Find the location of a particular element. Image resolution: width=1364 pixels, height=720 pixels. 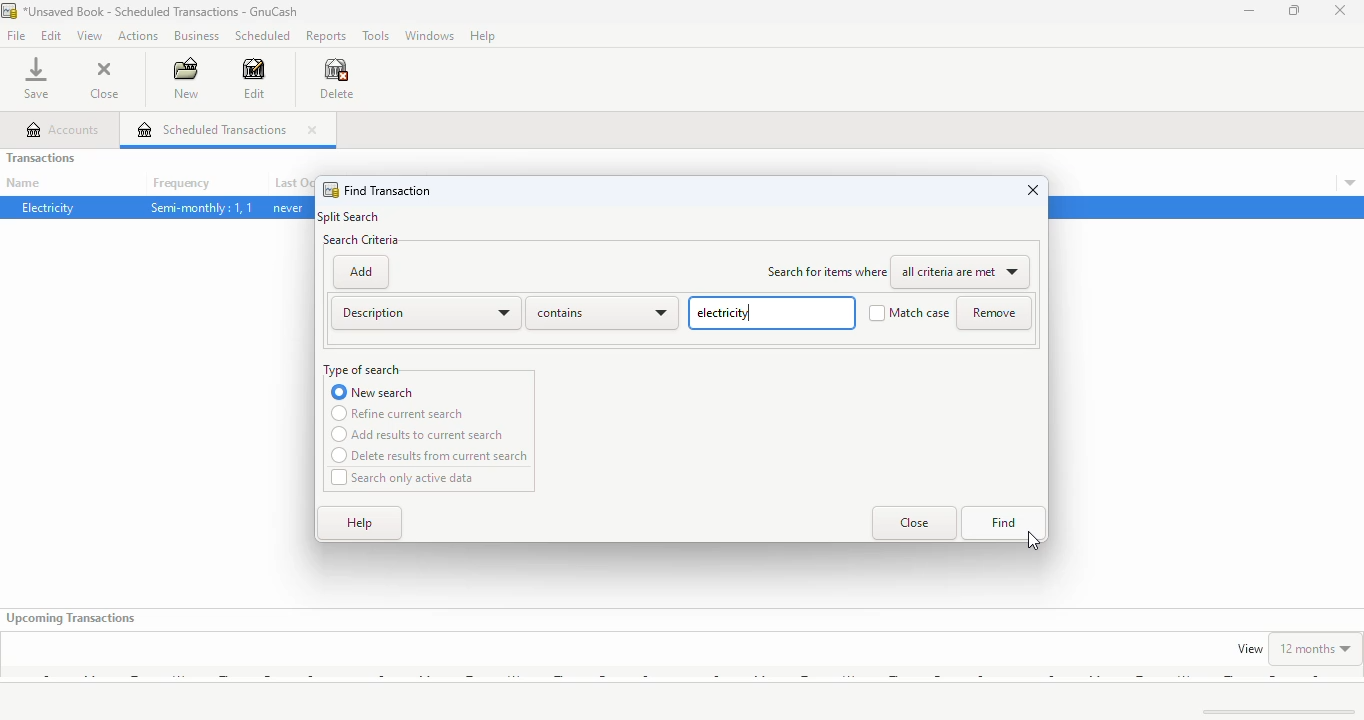

close is located at coordinates (106, 81).